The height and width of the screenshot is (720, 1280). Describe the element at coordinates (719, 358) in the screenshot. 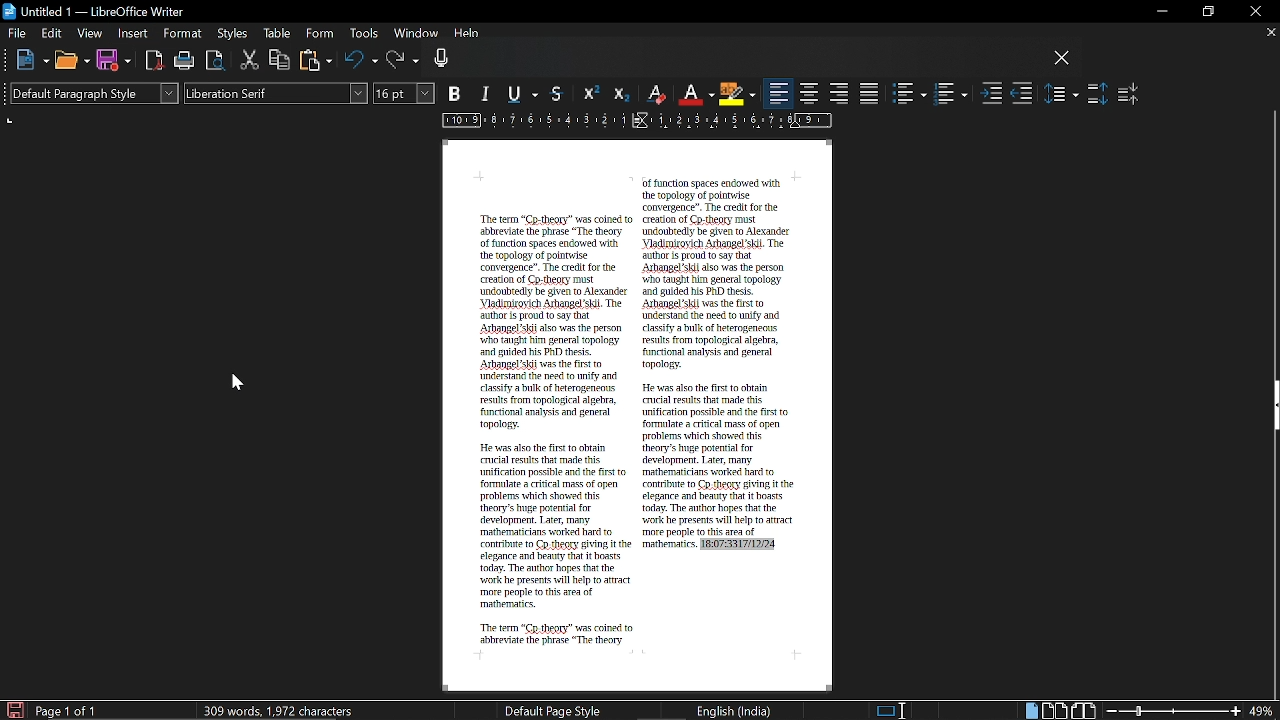

I see `of function spaces endowed with the topology of pointwise convergence". The credit for the creation of Cp theory must undoubtedly be given to Alexander Vladimirovich Arbangel'skil. The author is proud to say that Arbangel'skii also was the person who taught him general topology and guided his PhD thesis. Arbangel'skil was the first to understand the need to unify and classify a bulk of herogeneous results from topological algebra, functional analysis and general topology.  He was also the first to obtain crucial results that made this unification possible and the first to formulate a critical mass of open problems which showed this theory's huge potential for development. Later, many mathematicians worked hard to contribute to Co theory giving it the elegance and beauty that it boasts today. The author hopes that the work he presents will help to attract more people to this area of ` at that location.